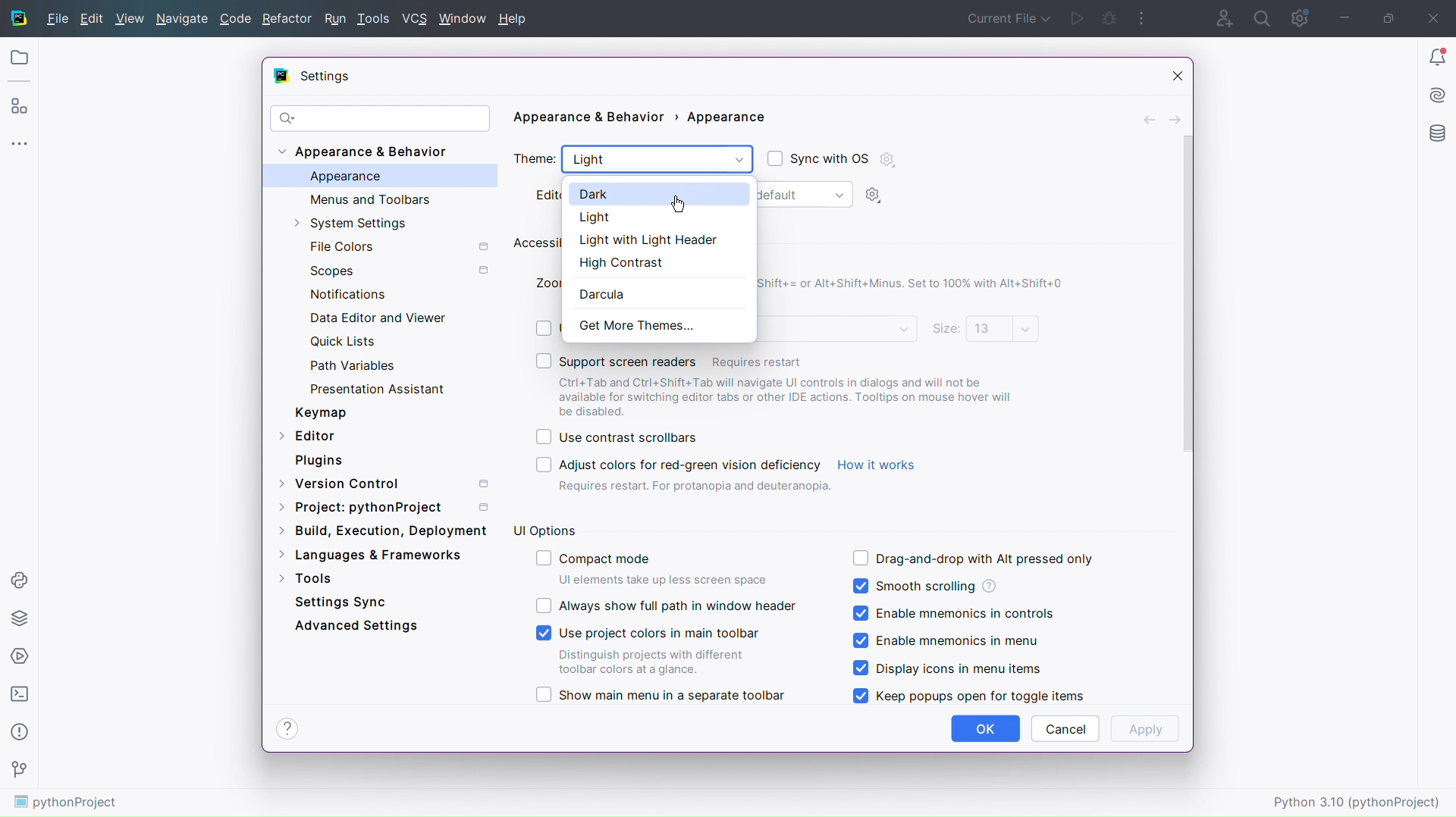 The image size is (1456, 817). Describe the element at coordinates (18, 734) in the screenshot. I see `Problems` at that location.